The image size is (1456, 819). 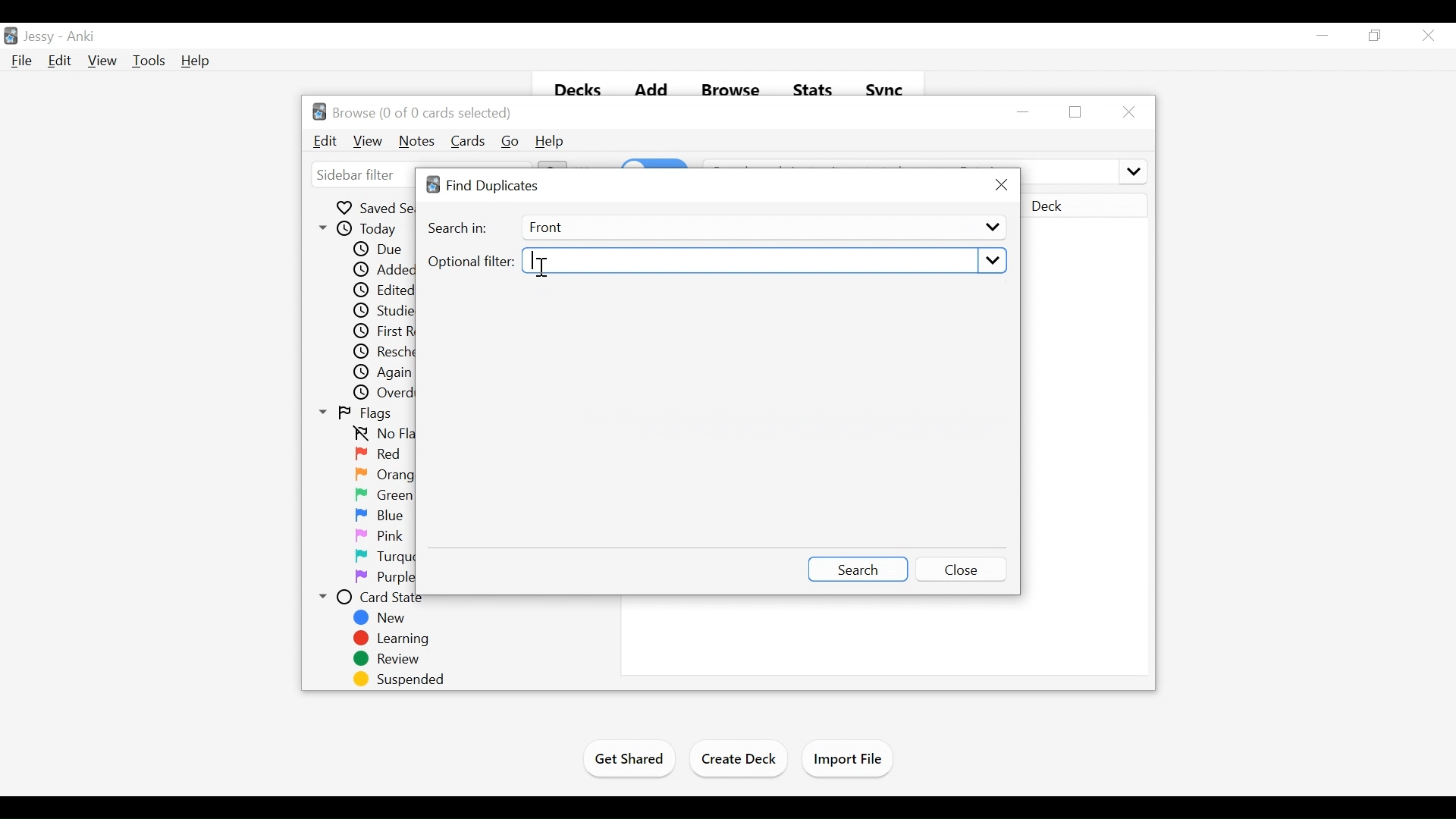 I want to click on Insertion cursor, so click(x=542, y=269).